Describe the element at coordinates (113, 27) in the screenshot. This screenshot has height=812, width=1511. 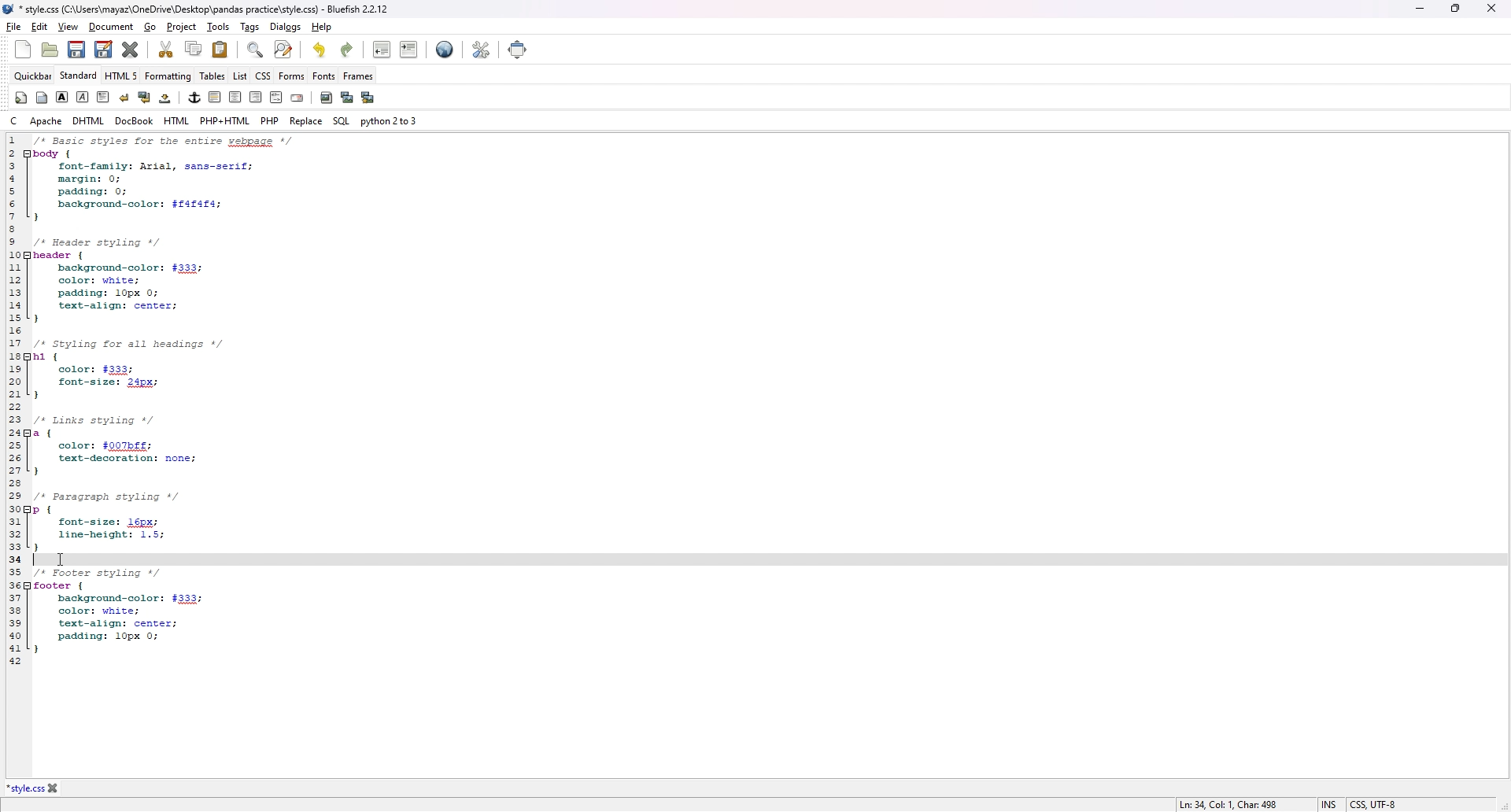
I see `document` at that location.